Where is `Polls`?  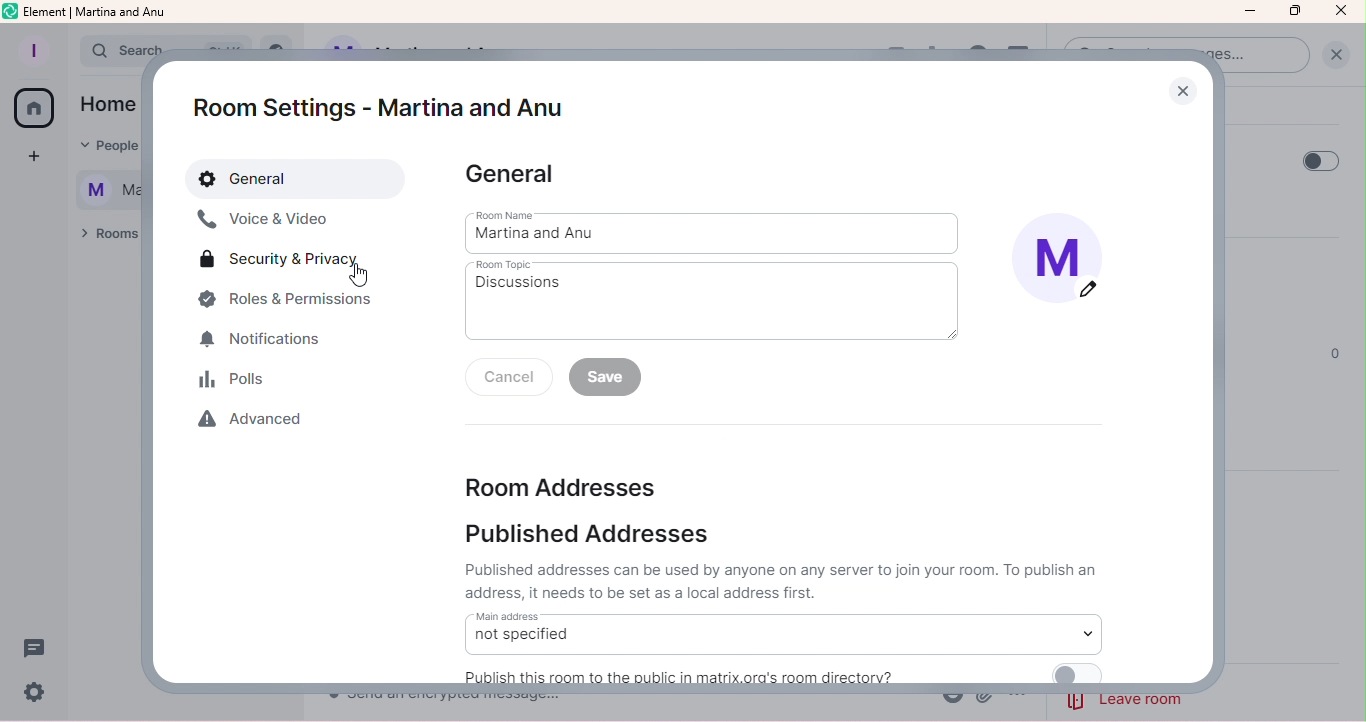
Polls is located at coordinates (243, 381).